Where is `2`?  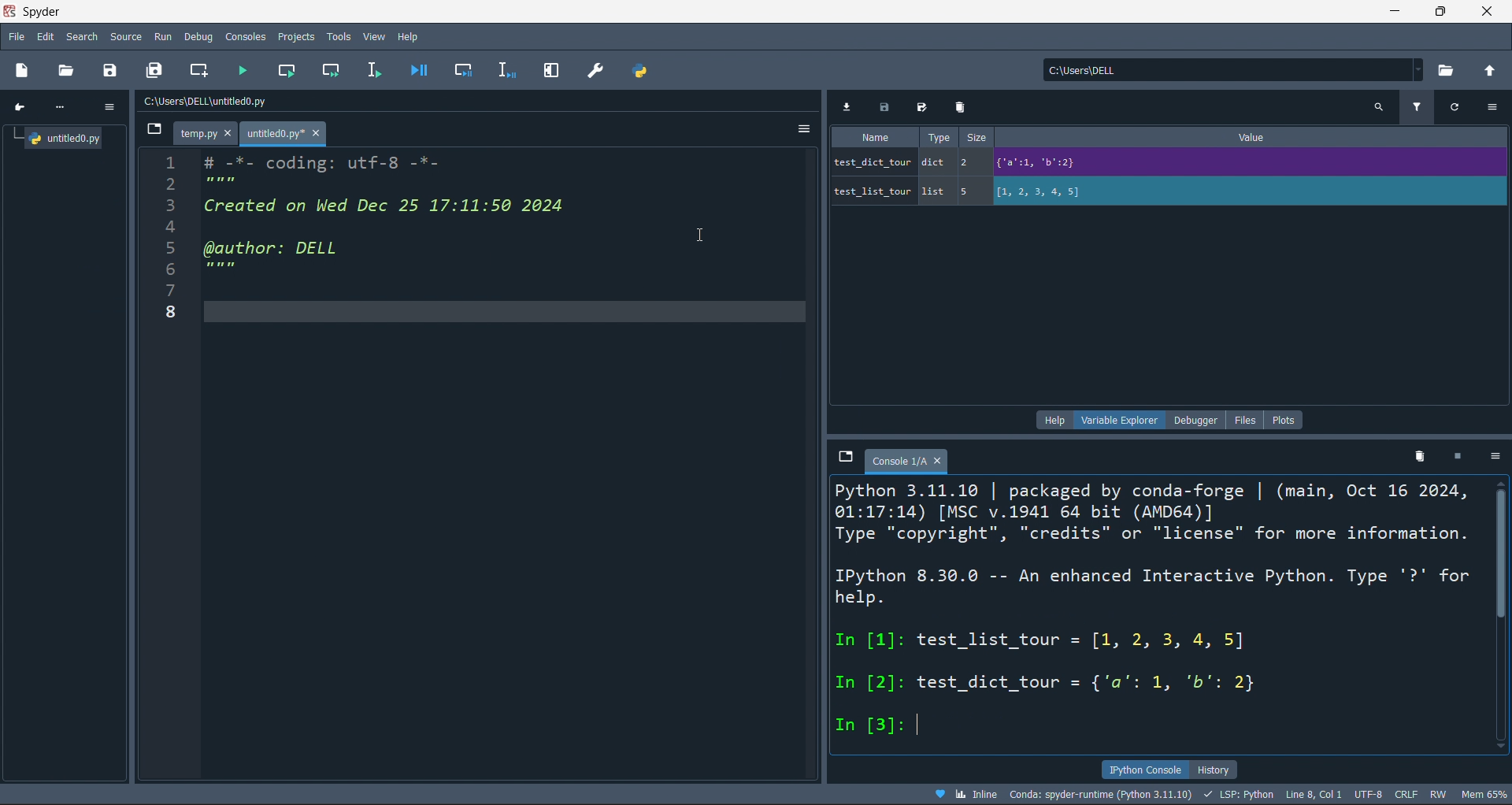 2 is located at coordinates (969, 161).